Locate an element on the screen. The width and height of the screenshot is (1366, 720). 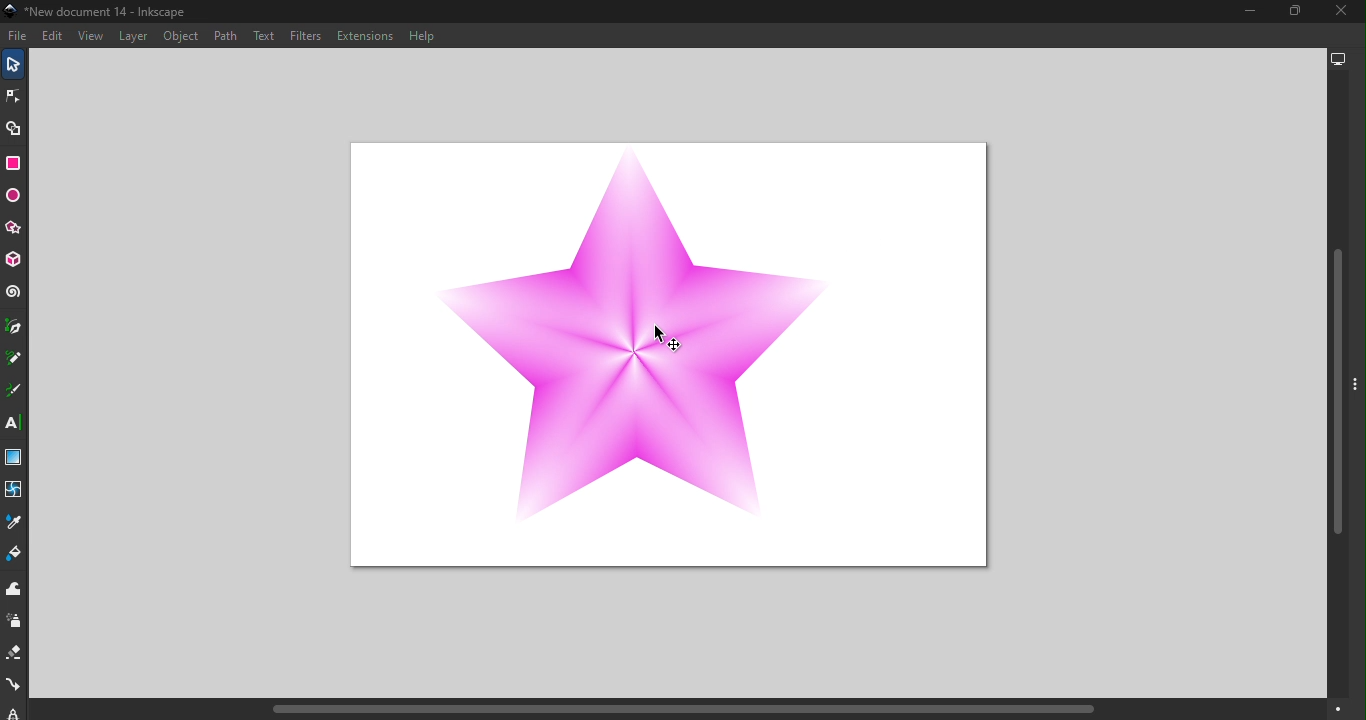
lpe is located at coordinates (10, 712).